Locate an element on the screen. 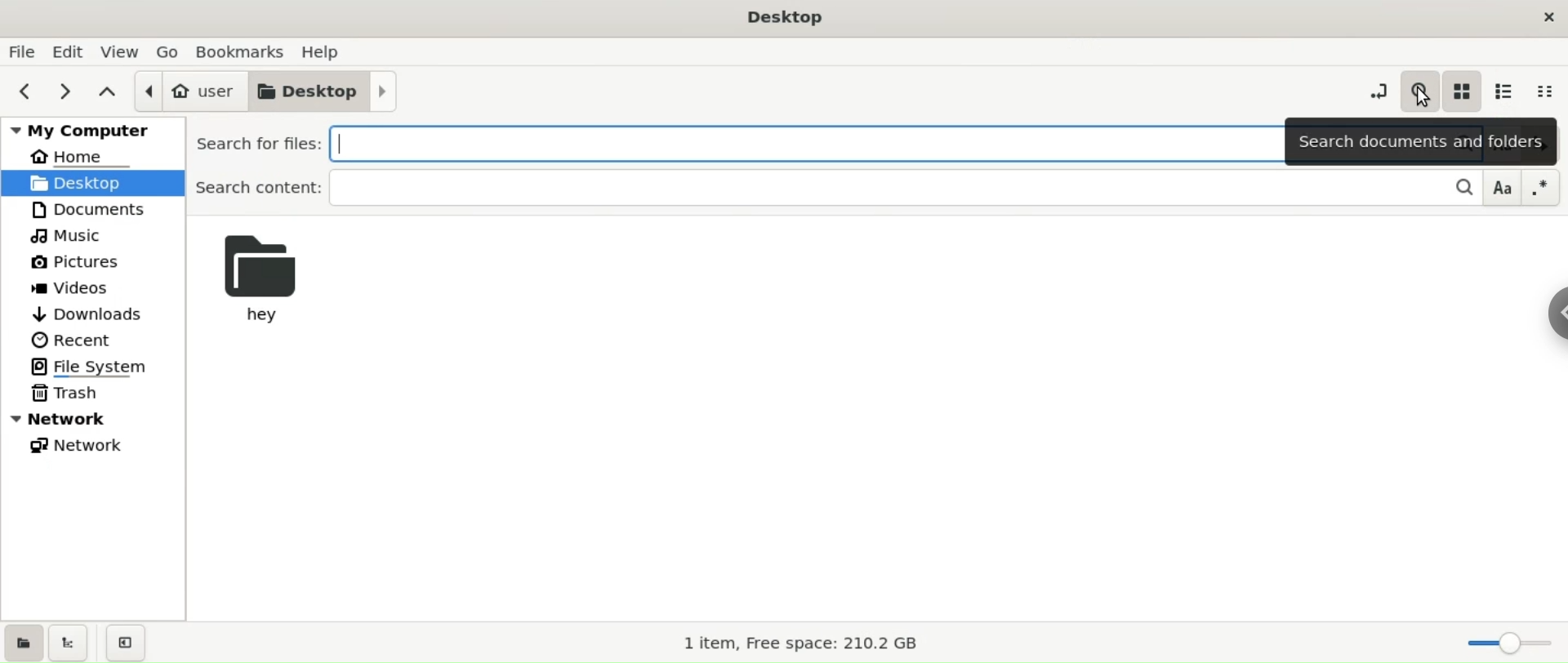 Image resolution: width=1568 pixels, height=663 pixels. go is located at coordinates (167, 52).